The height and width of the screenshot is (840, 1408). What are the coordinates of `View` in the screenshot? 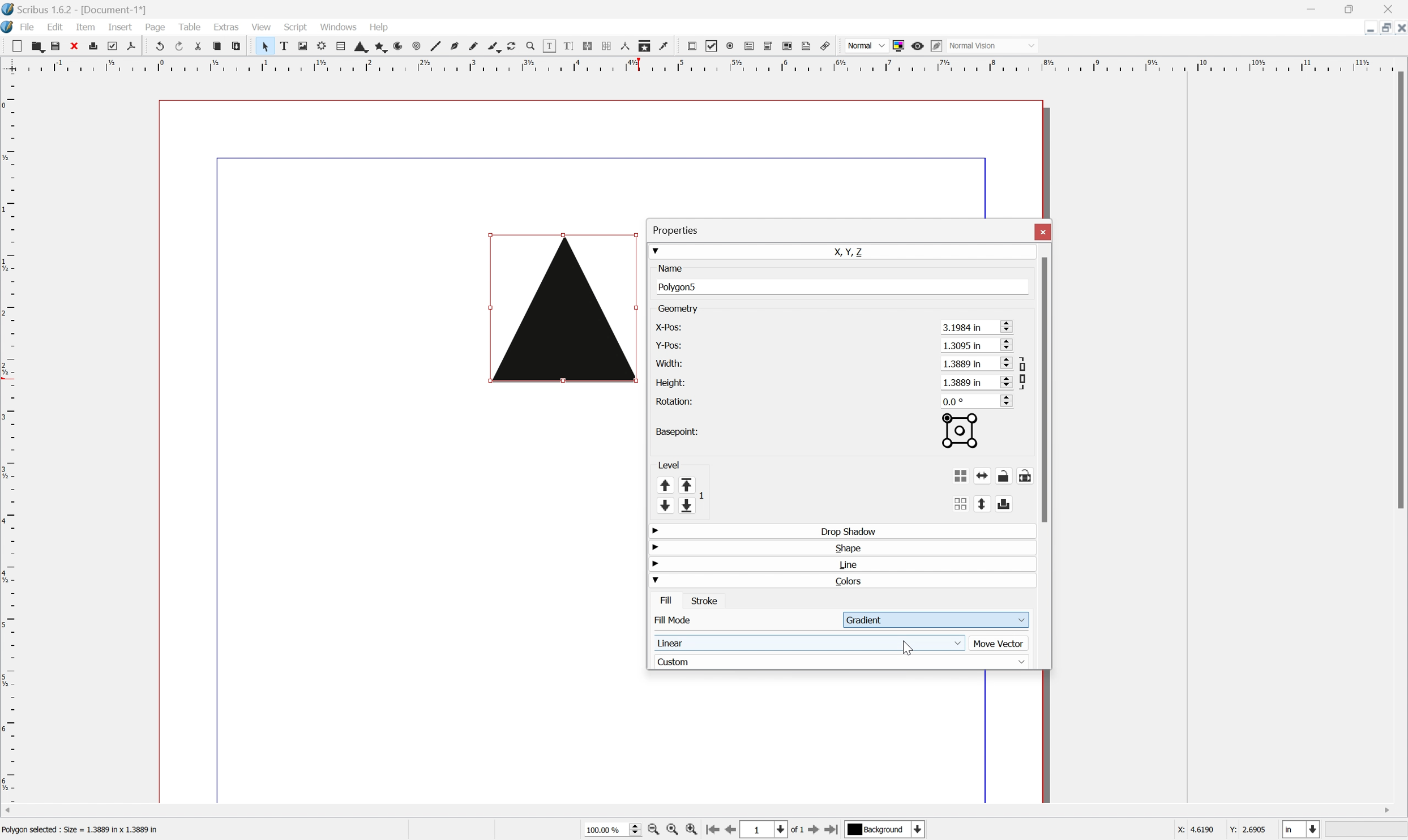 It's located at (263, 27).